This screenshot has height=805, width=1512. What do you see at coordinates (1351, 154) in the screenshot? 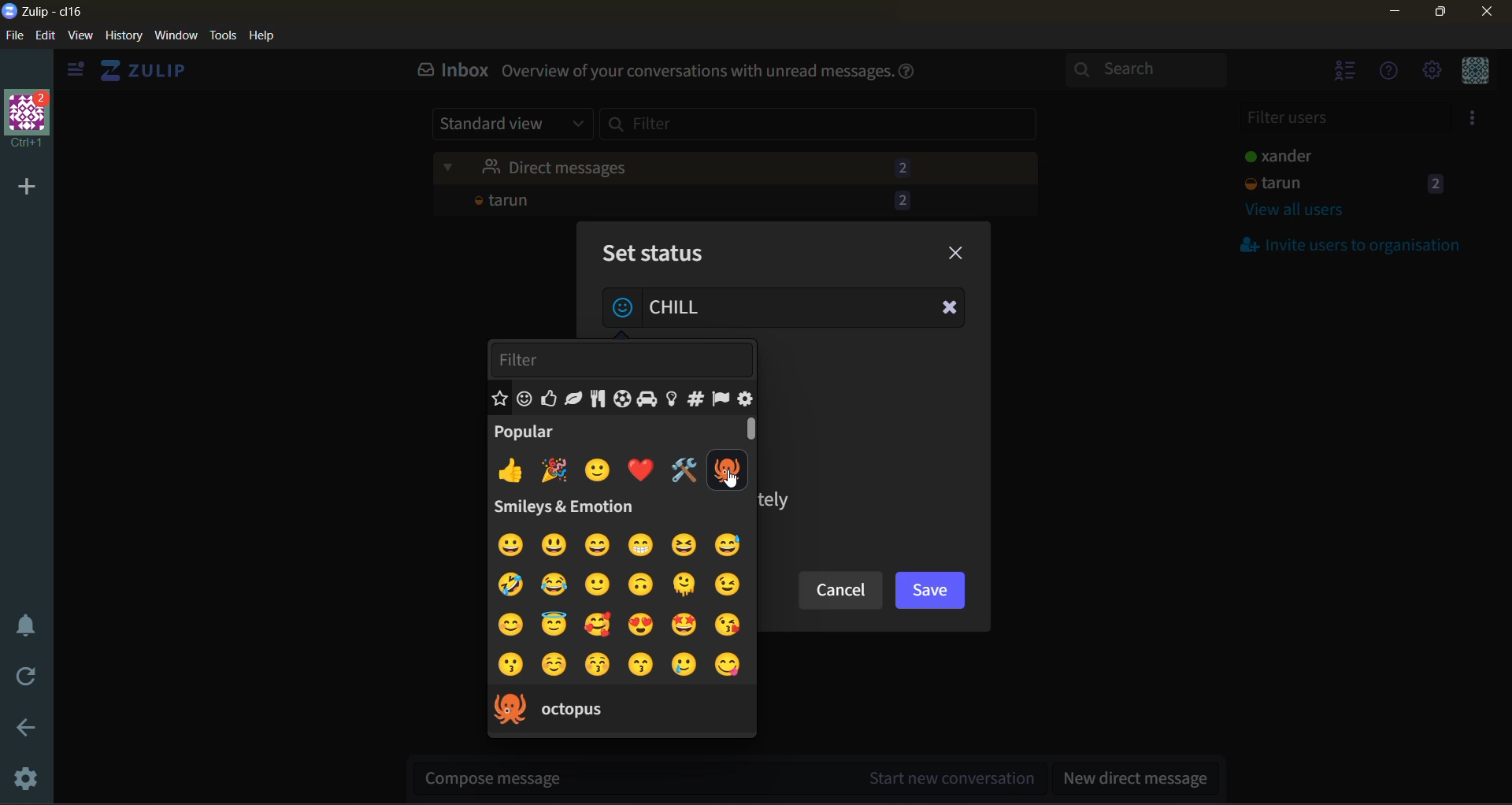
I see `users and staus` at bounding box center [1351, 154].